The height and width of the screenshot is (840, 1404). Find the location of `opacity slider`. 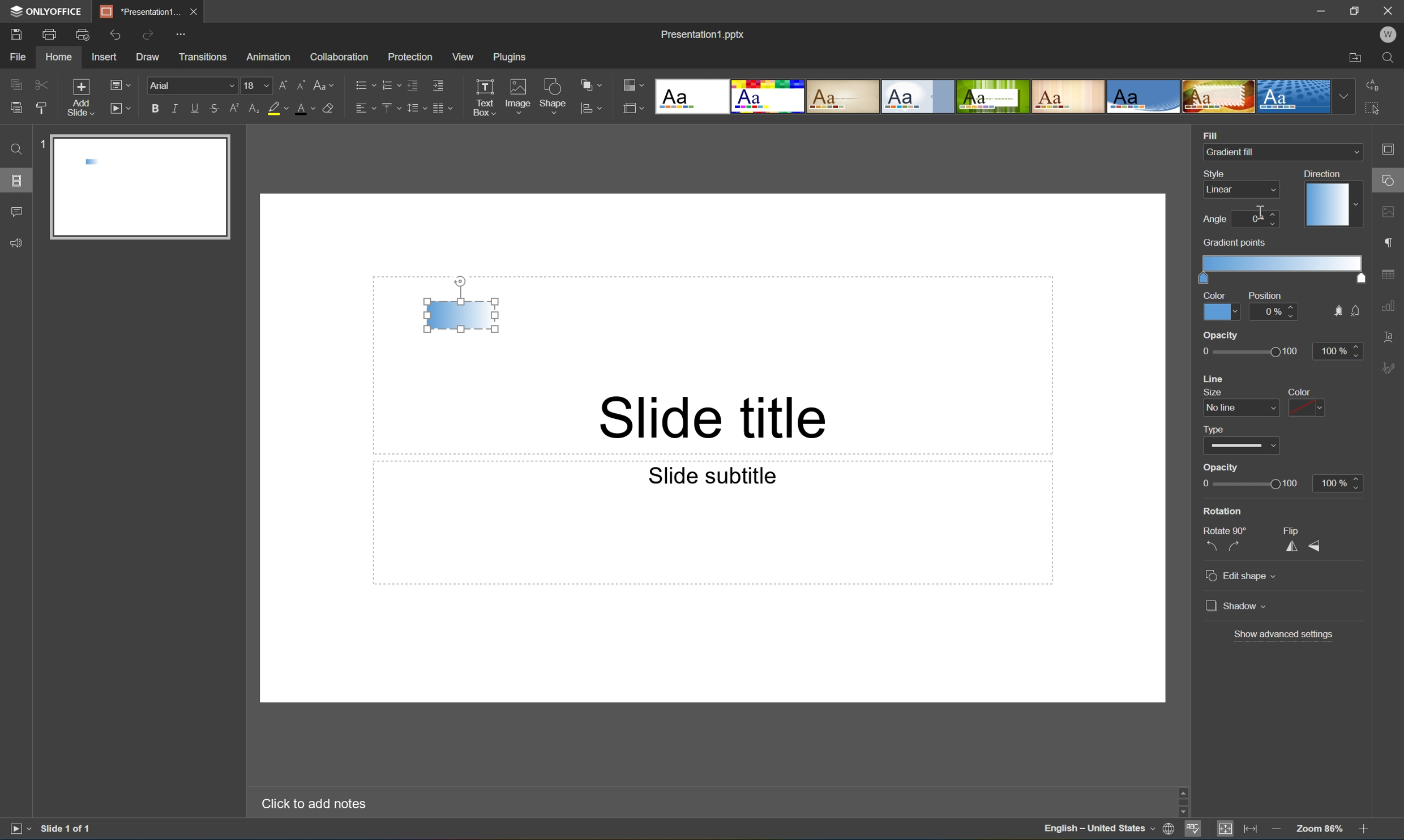

opacity slider is located at coordinates (1244, 352).